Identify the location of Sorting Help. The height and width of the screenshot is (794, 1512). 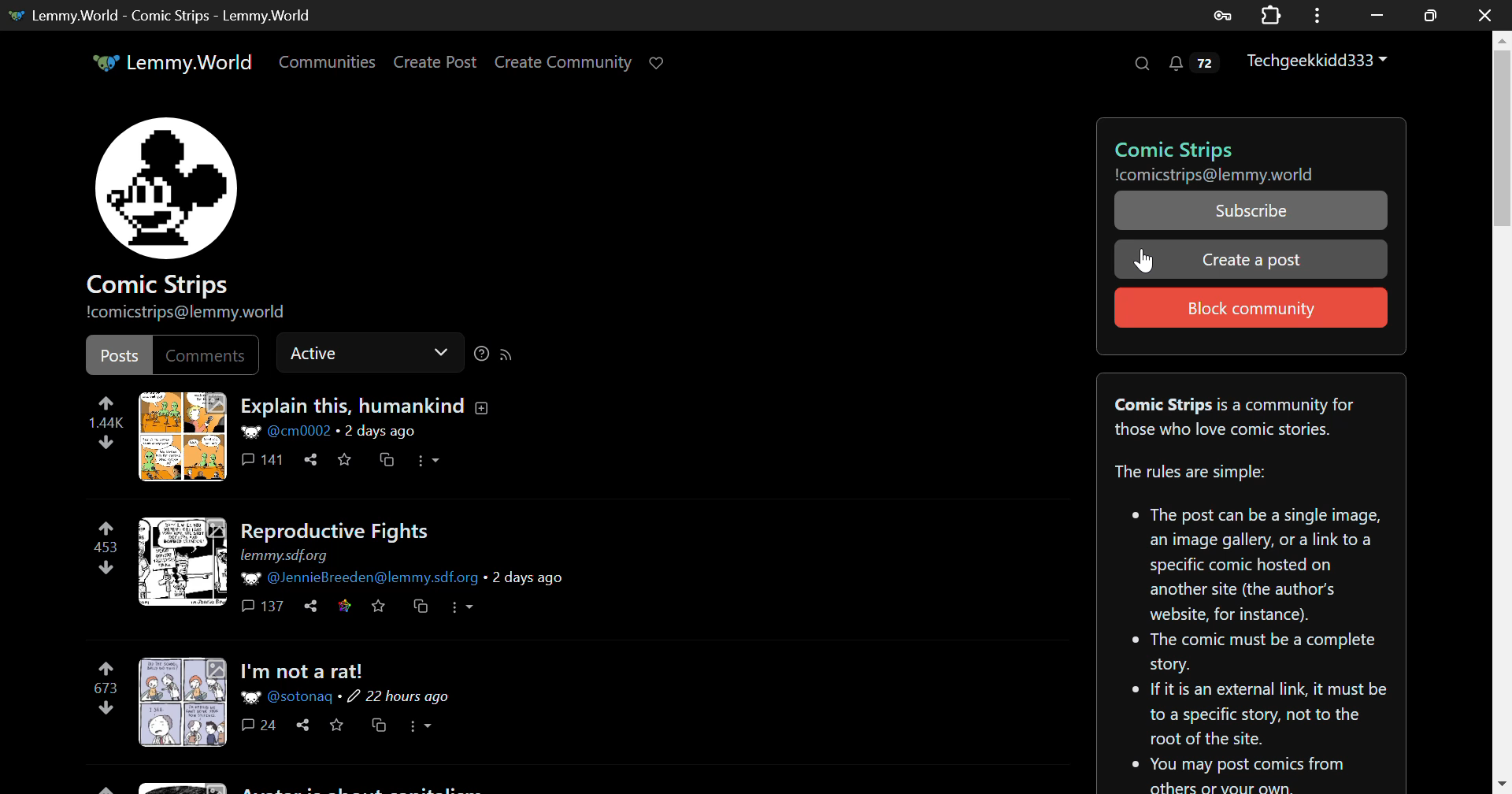
(480, 354).